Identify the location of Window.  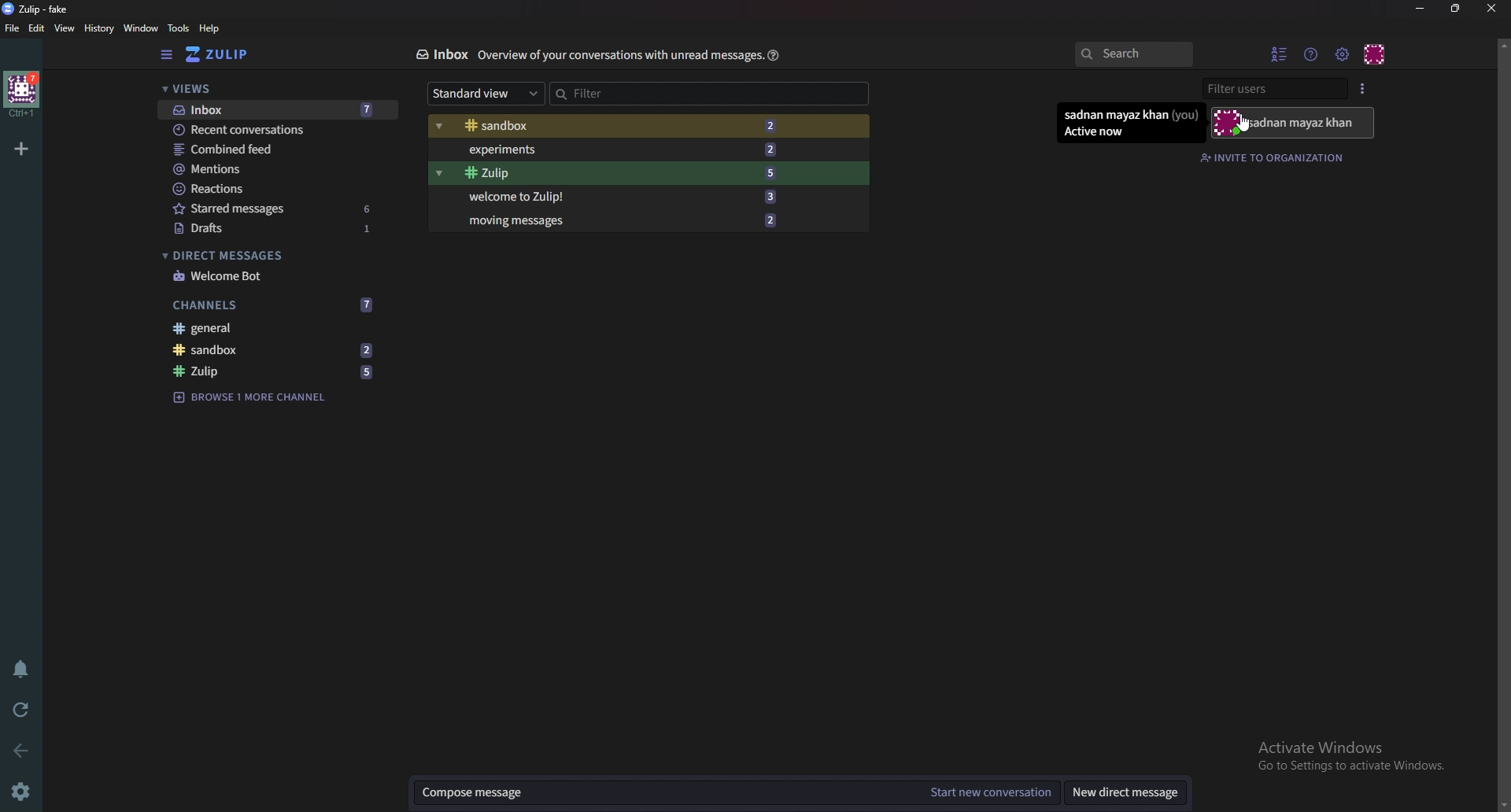
(141, 28).